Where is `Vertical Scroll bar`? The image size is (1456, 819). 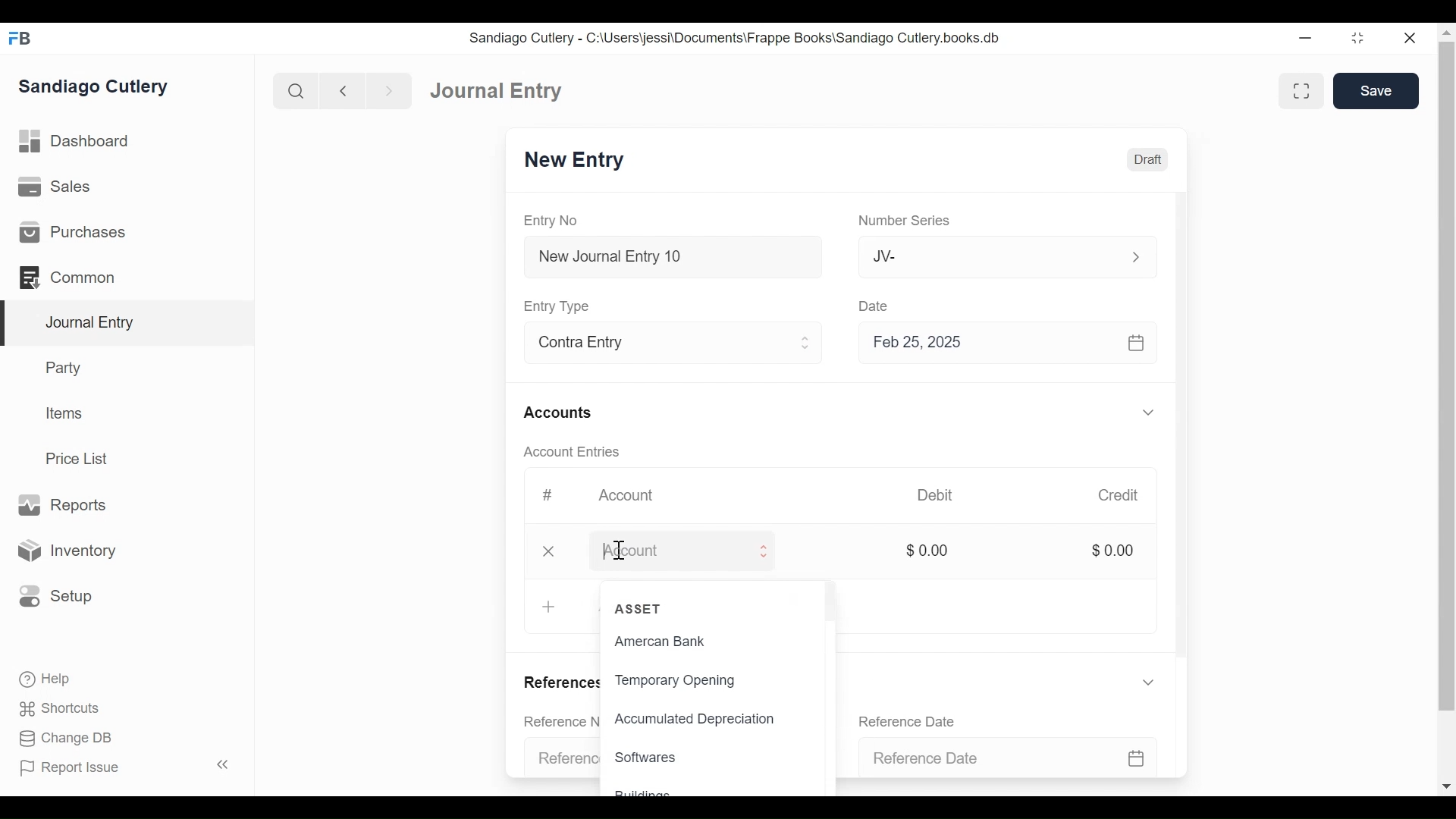 Vertical Scroll bar is located at coordinates (1185, 434).